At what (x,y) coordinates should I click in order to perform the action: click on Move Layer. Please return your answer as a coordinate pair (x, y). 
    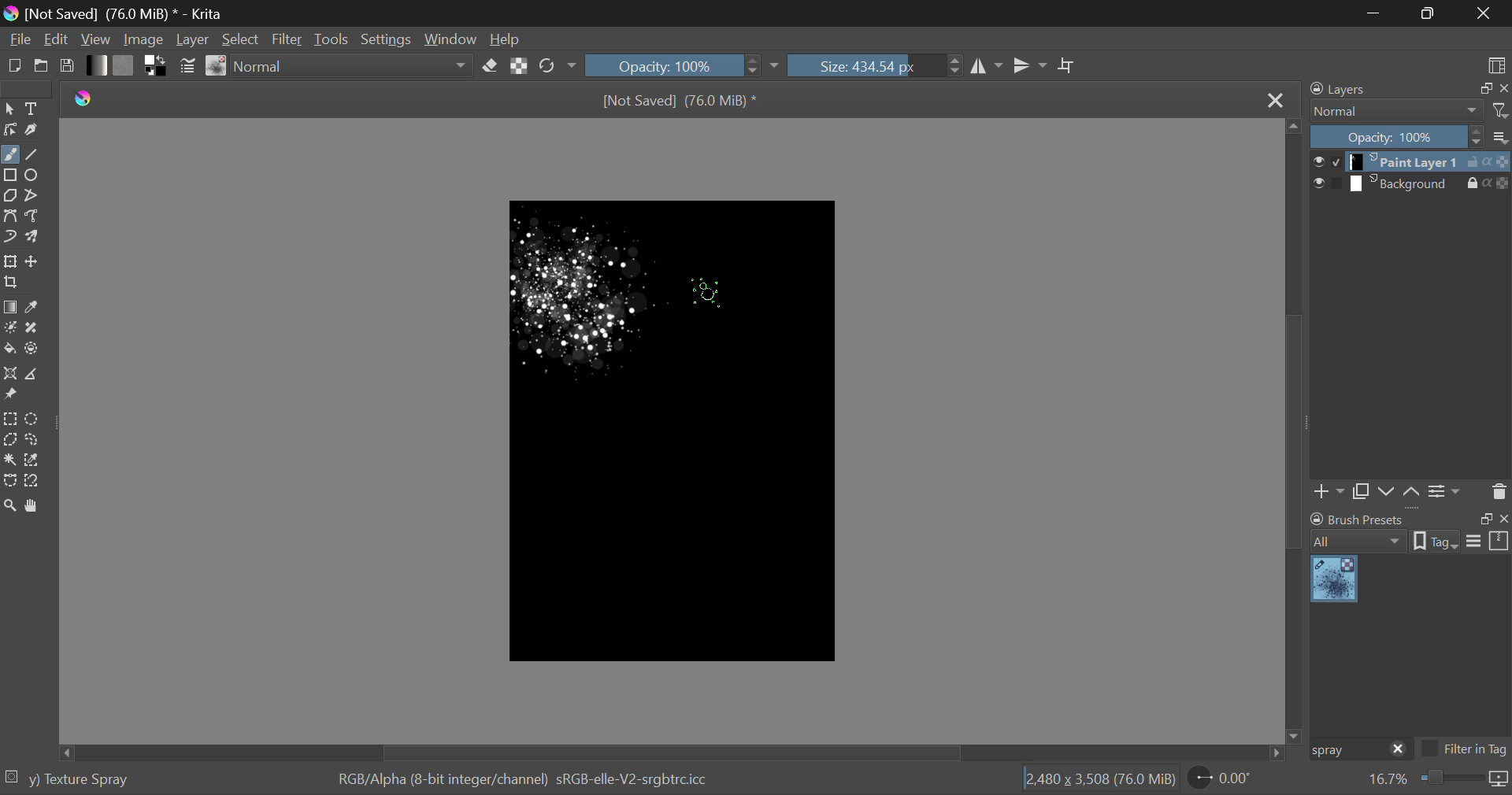
    Looking at the image, I should click on (32, 261).